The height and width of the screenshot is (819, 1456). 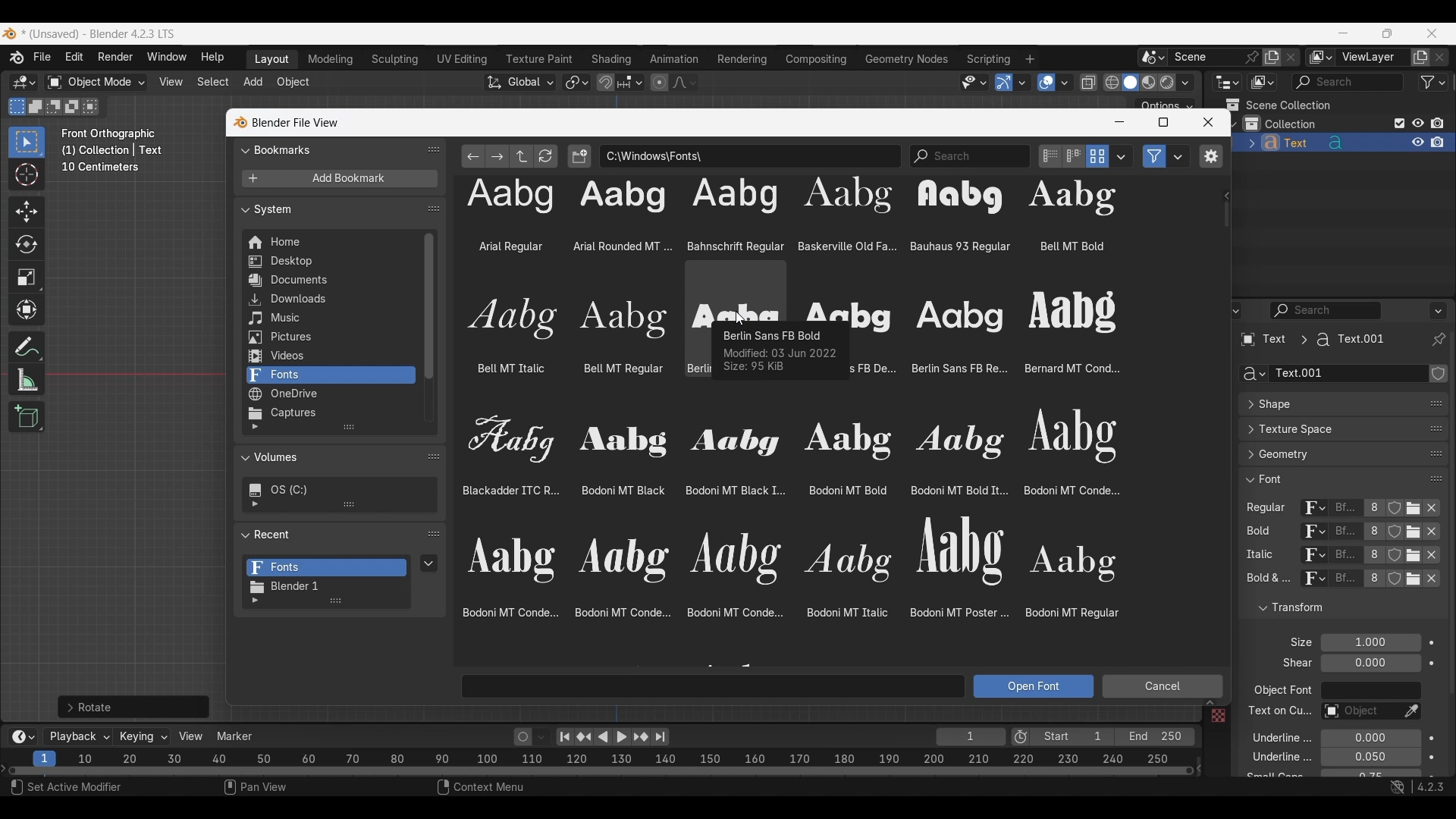 What do you see at coordinates (429, 563) in the screenshot?
I see `Recent items specials` at bounding box center [429, 563].